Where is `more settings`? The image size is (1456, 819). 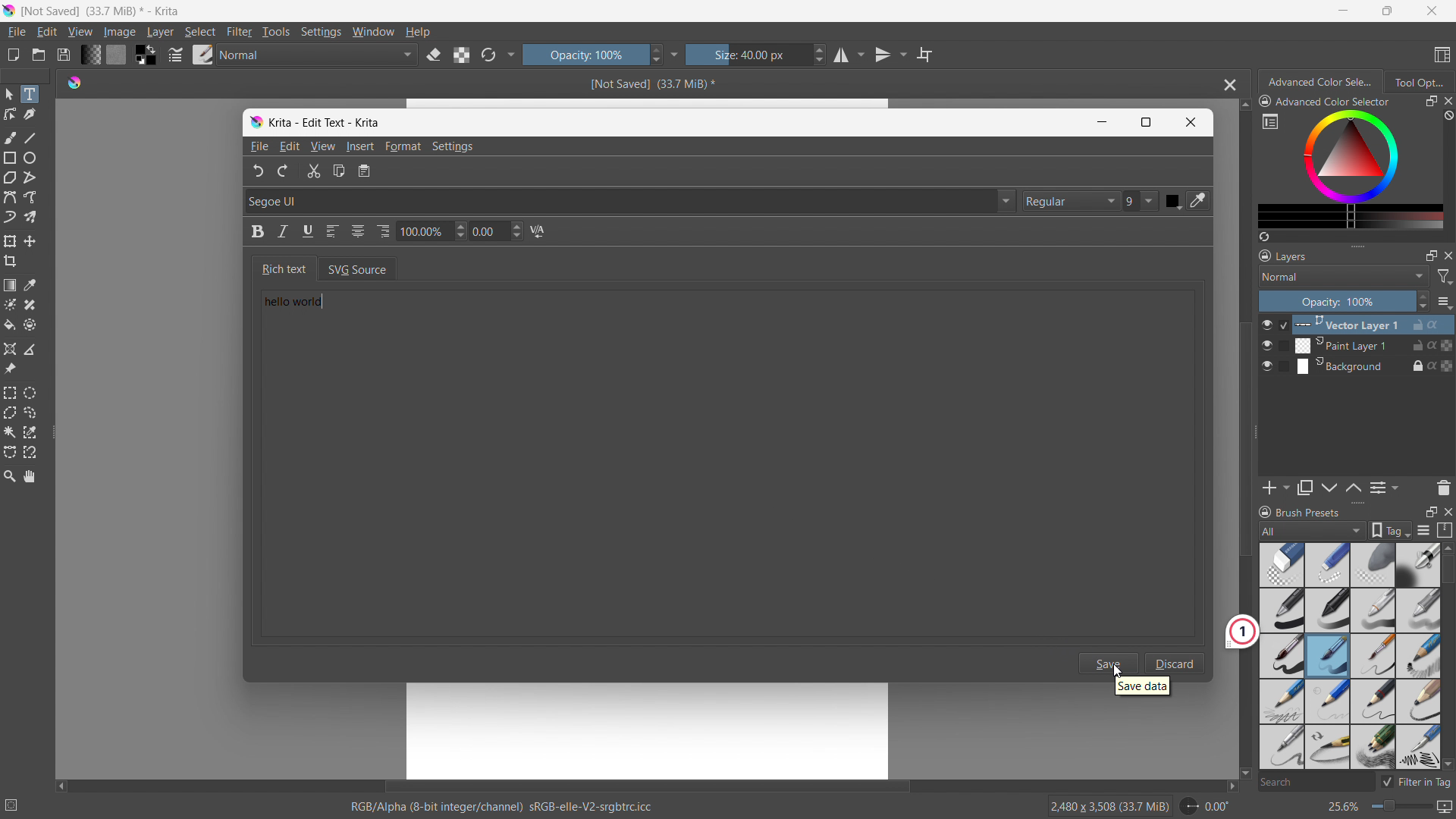
more settings is located at coordinates (675, 54).